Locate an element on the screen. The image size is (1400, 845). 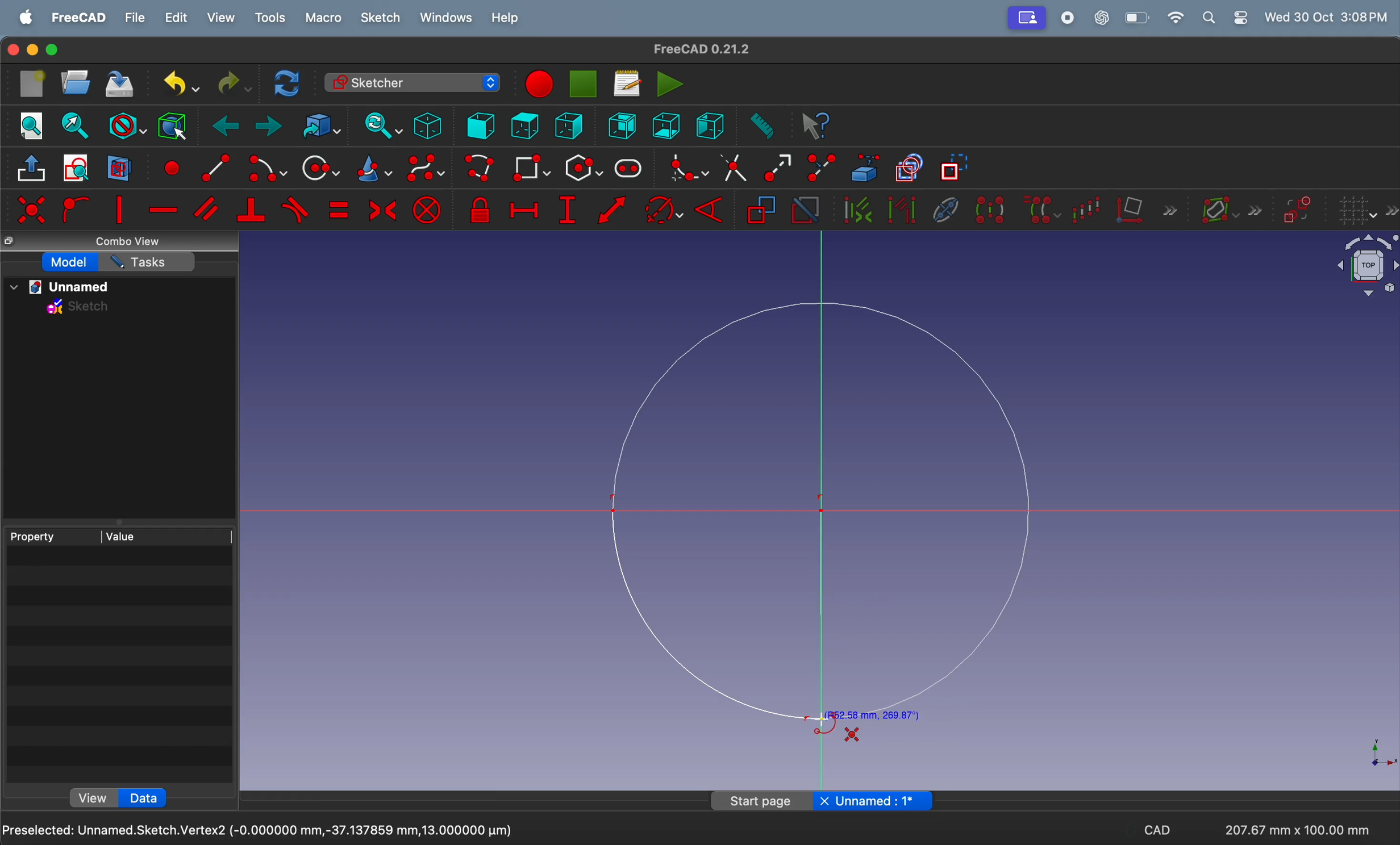
sketcher workbench is located at coordinates (411, 82).